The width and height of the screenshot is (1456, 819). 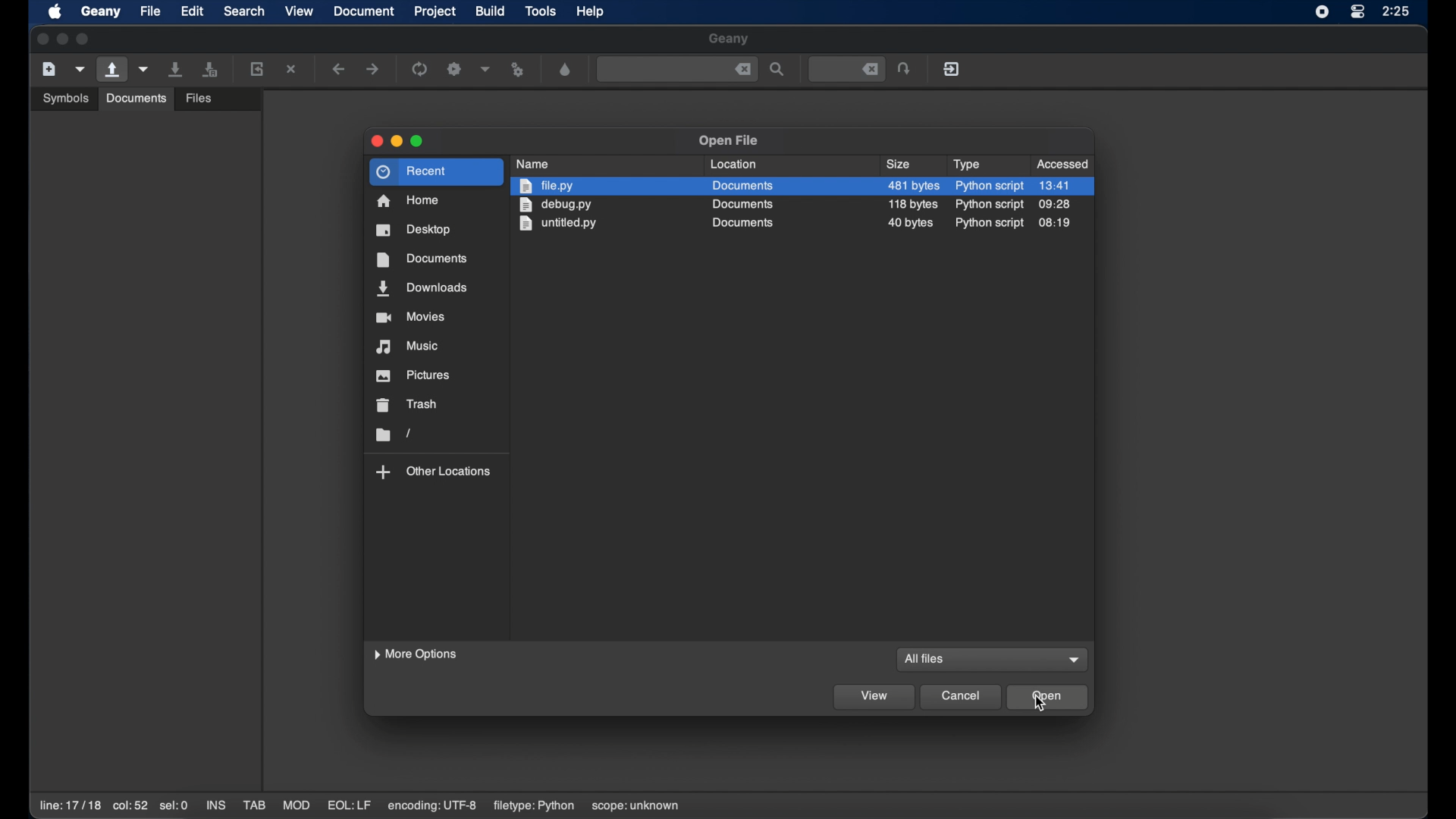 I want to click on desktop, so click(x=415, y=230).